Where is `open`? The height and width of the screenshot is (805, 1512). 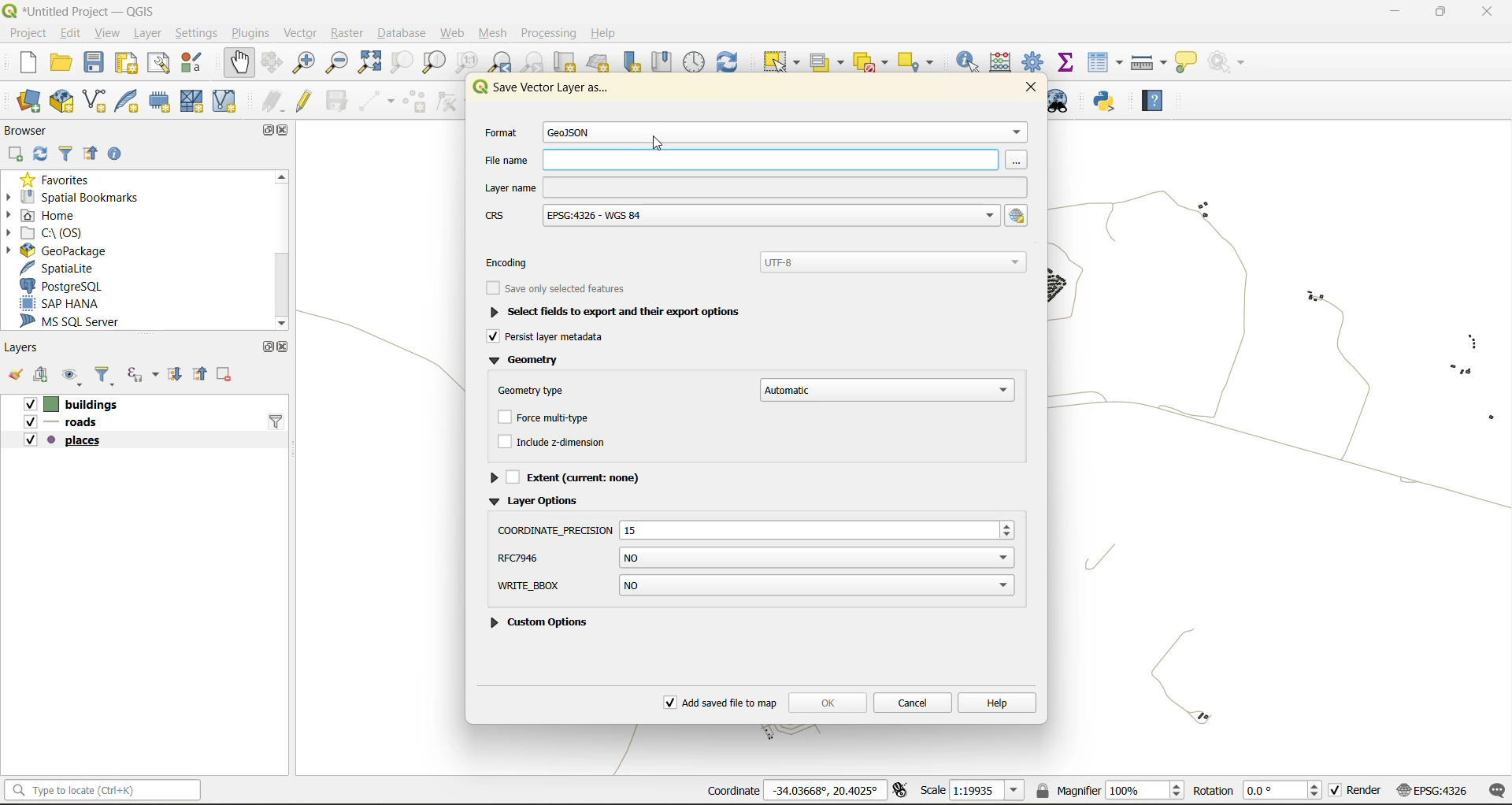
open is located at coordinates (65, 61).